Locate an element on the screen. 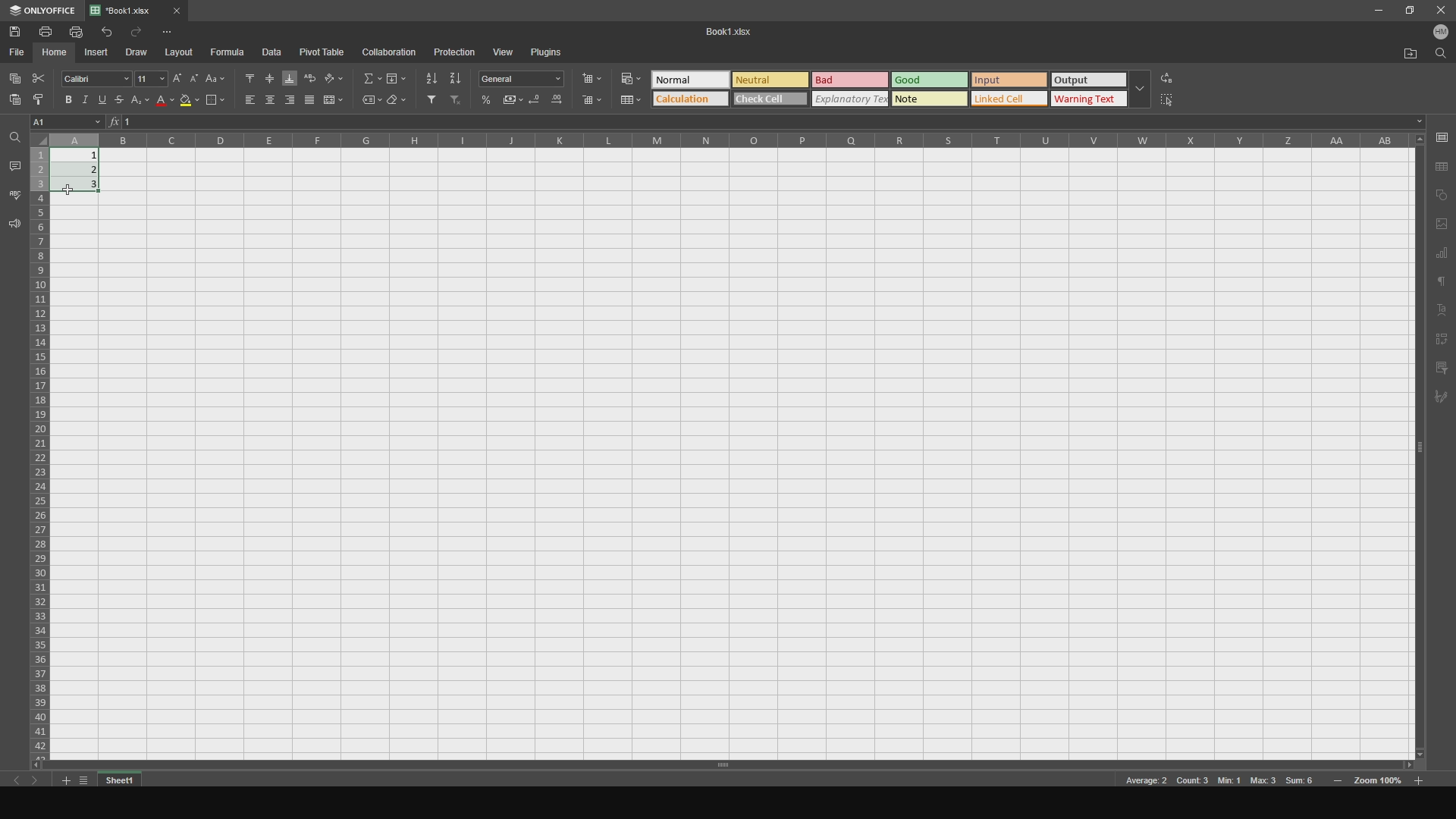 The width and height of the screenshot is (1456, 819). cell functions is located at coordinates (769, 123).